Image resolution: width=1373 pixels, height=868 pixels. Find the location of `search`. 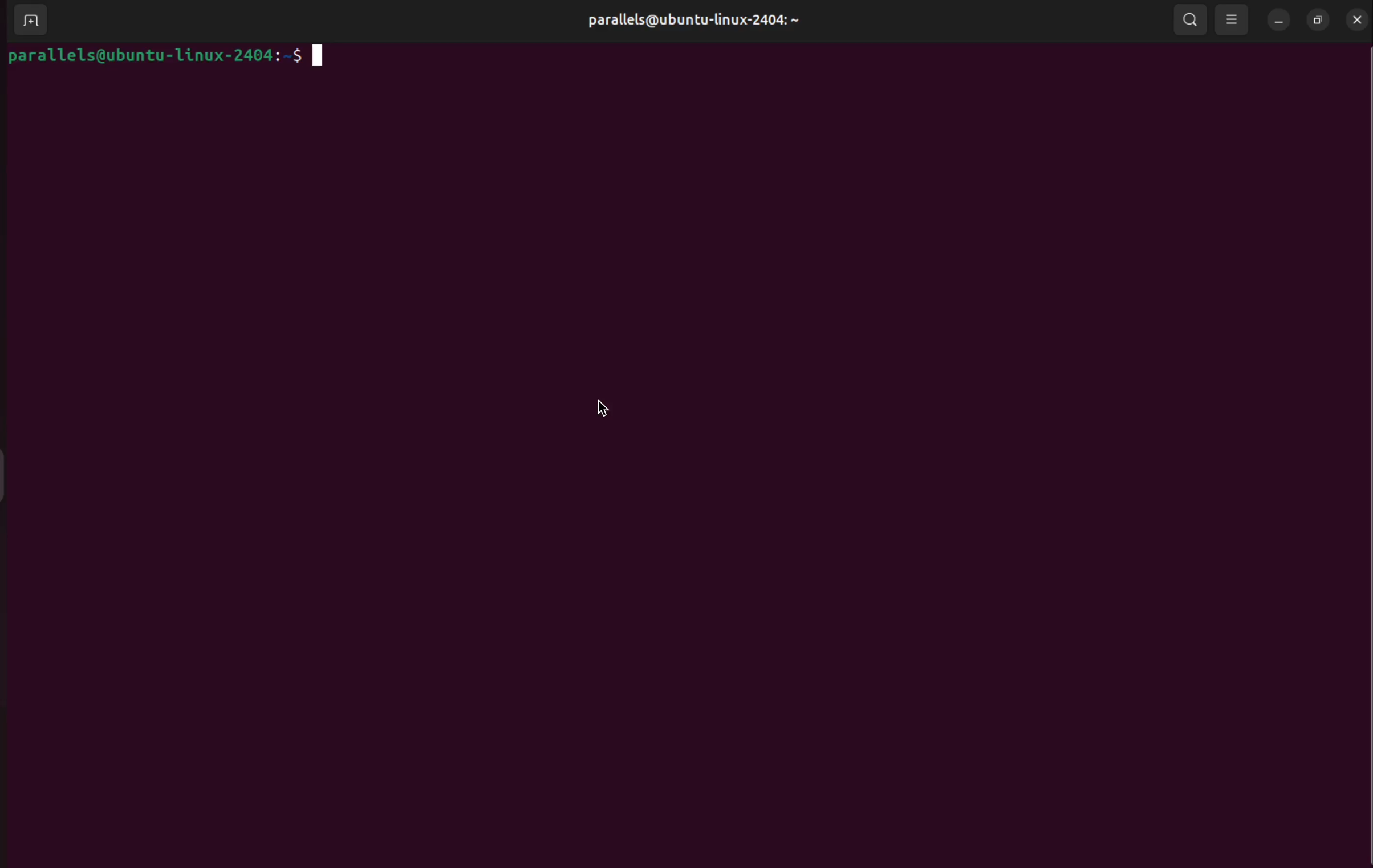

search is located at coordinates (1191, 21).